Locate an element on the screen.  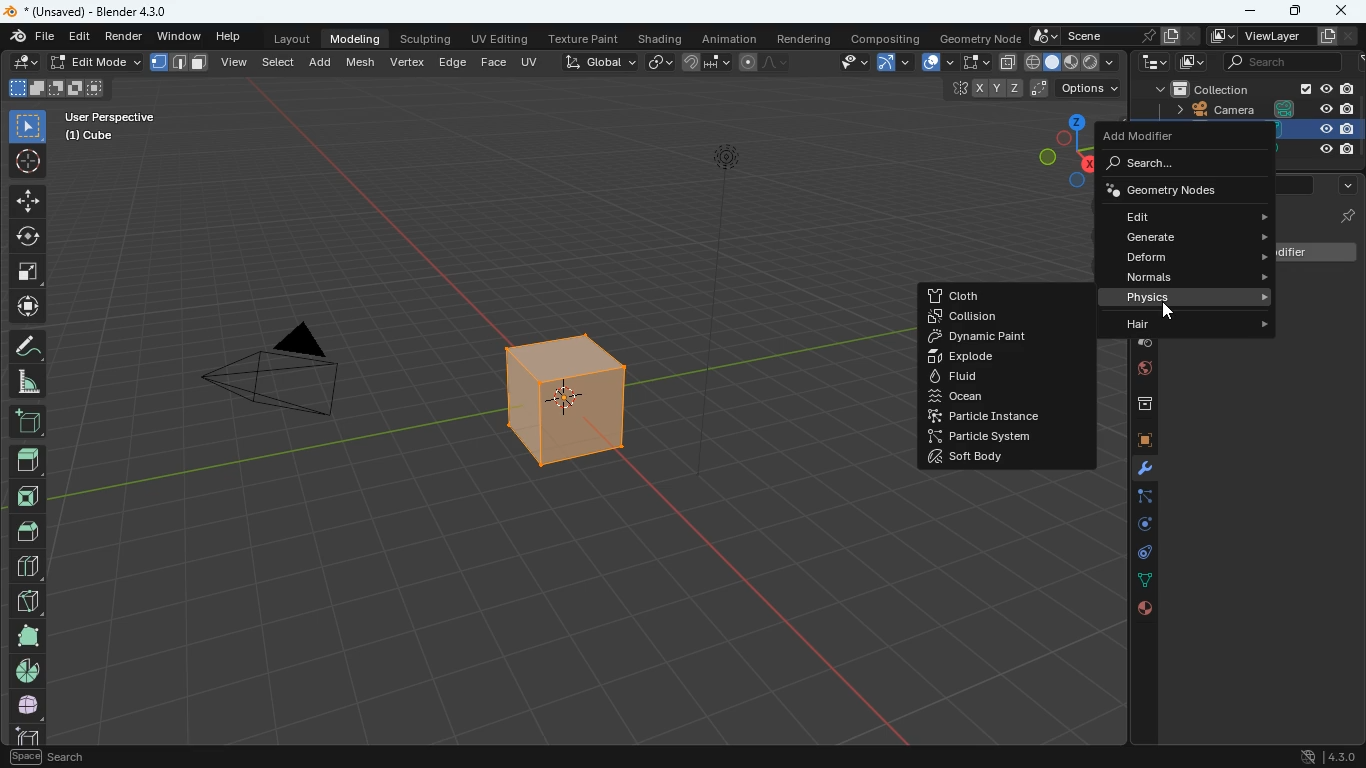
top is located at coordinates (29, 529).